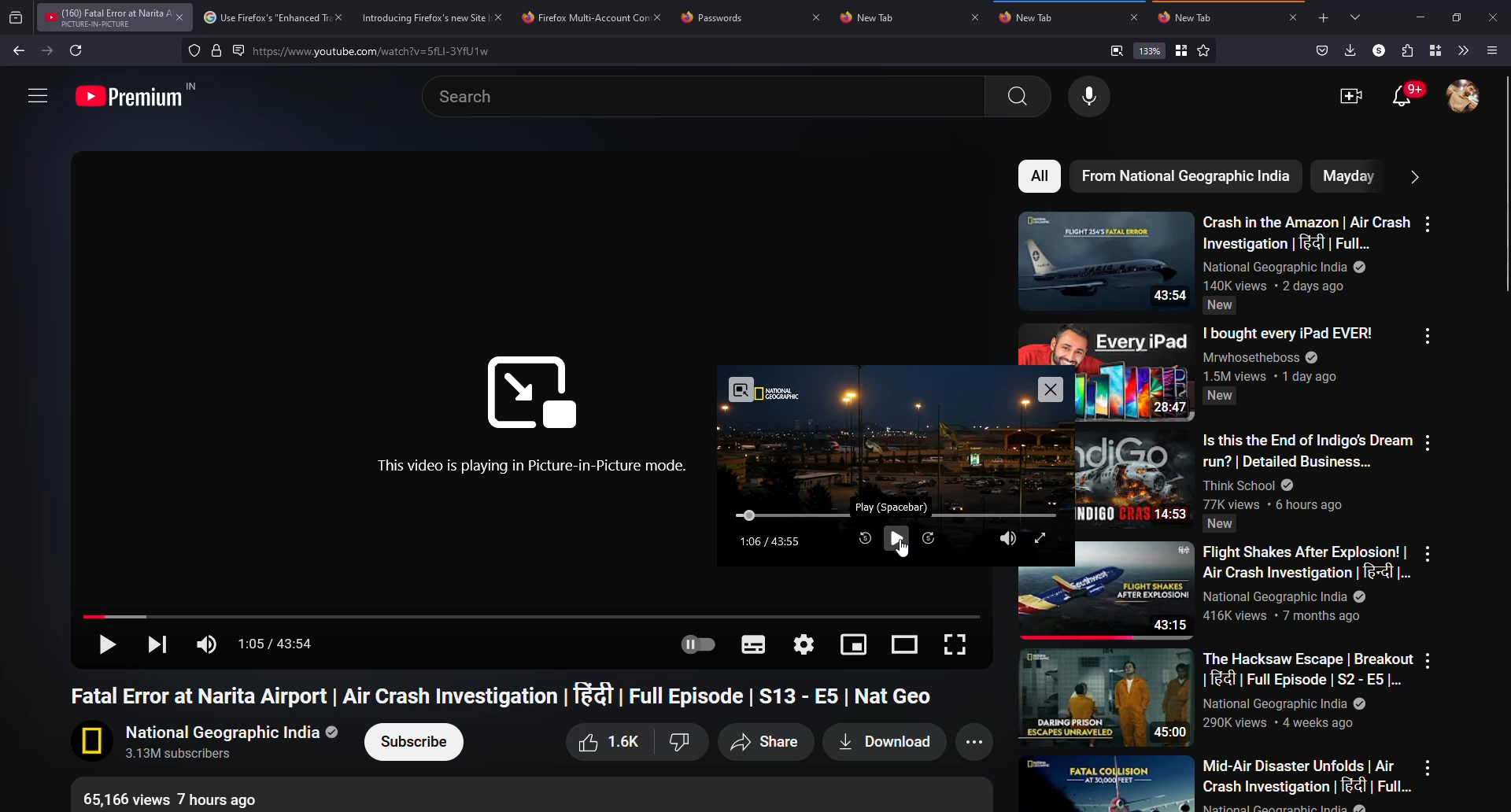 The width and height of the screenshot is (1511, 812). What do you see at coordinates (1219, 524) in the screenshot?
I see `Indicates video is new` at bounding box center [1219, 524].